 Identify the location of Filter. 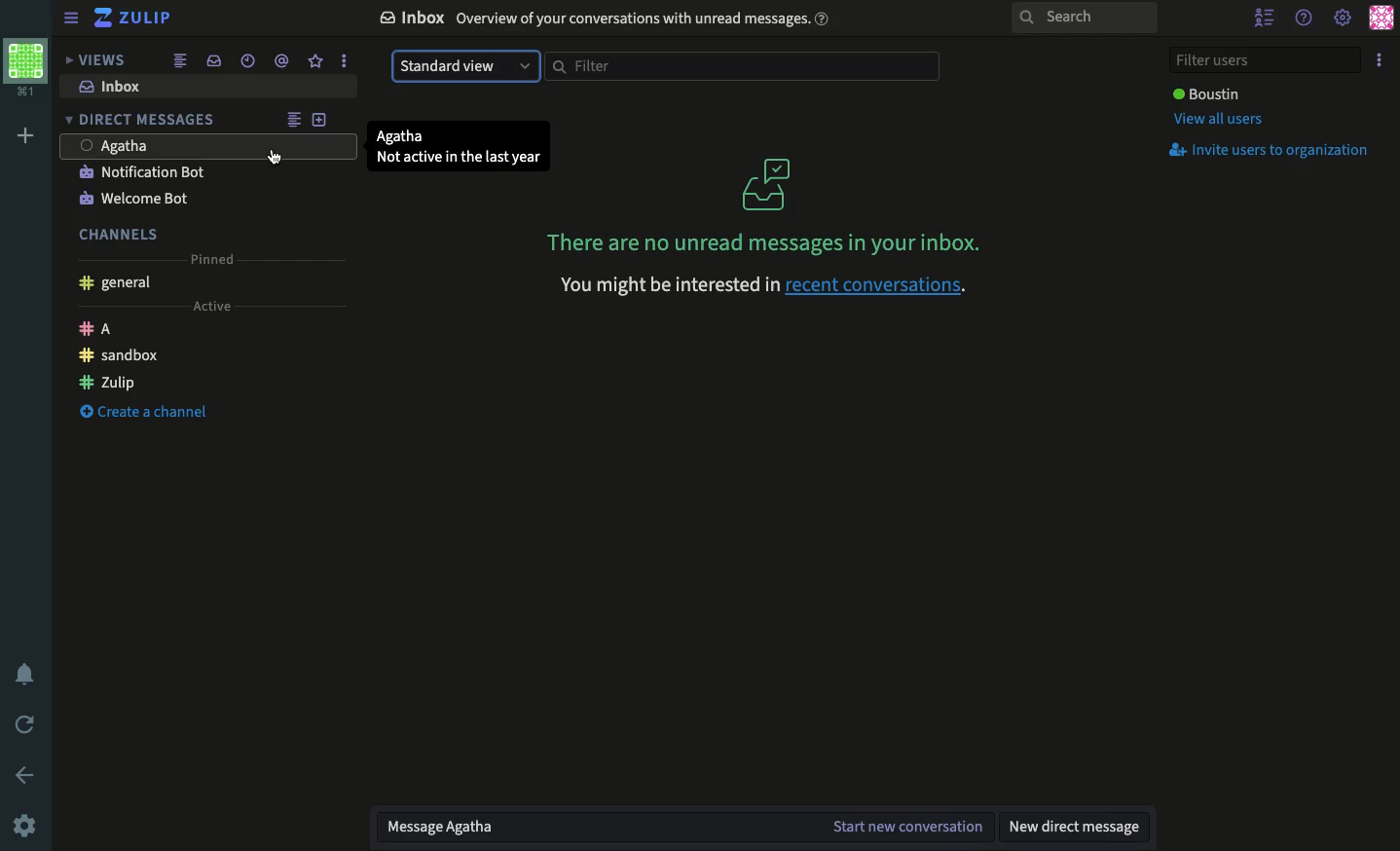
(744, 67).